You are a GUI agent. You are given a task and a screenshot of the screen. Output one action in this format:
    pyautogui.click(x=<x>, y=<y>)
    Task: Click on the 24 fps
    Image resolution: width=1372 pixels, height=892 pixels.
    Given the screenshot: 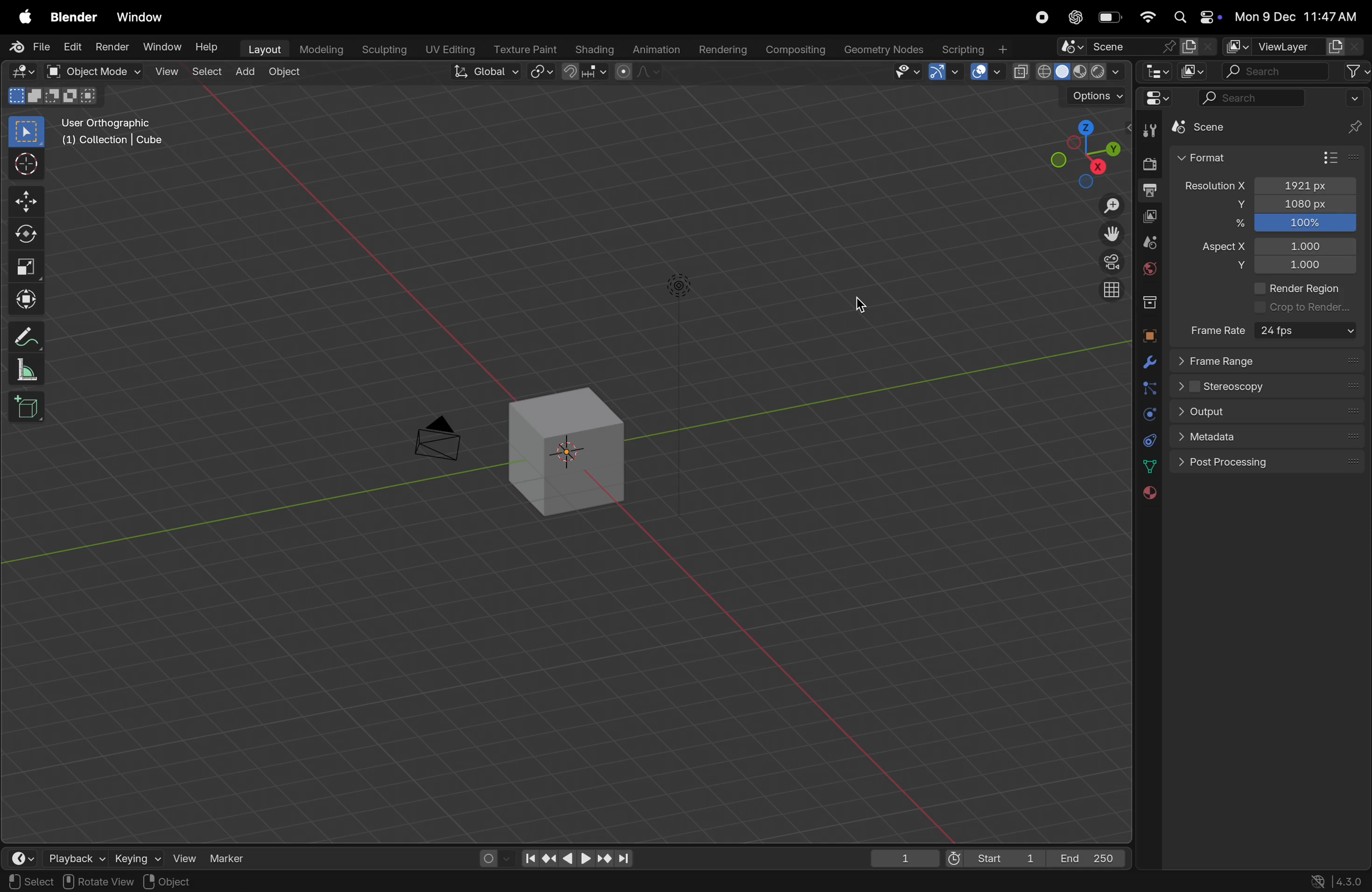 What is the action you would take?
    pyautogui.click(x=1307, y=331)
    